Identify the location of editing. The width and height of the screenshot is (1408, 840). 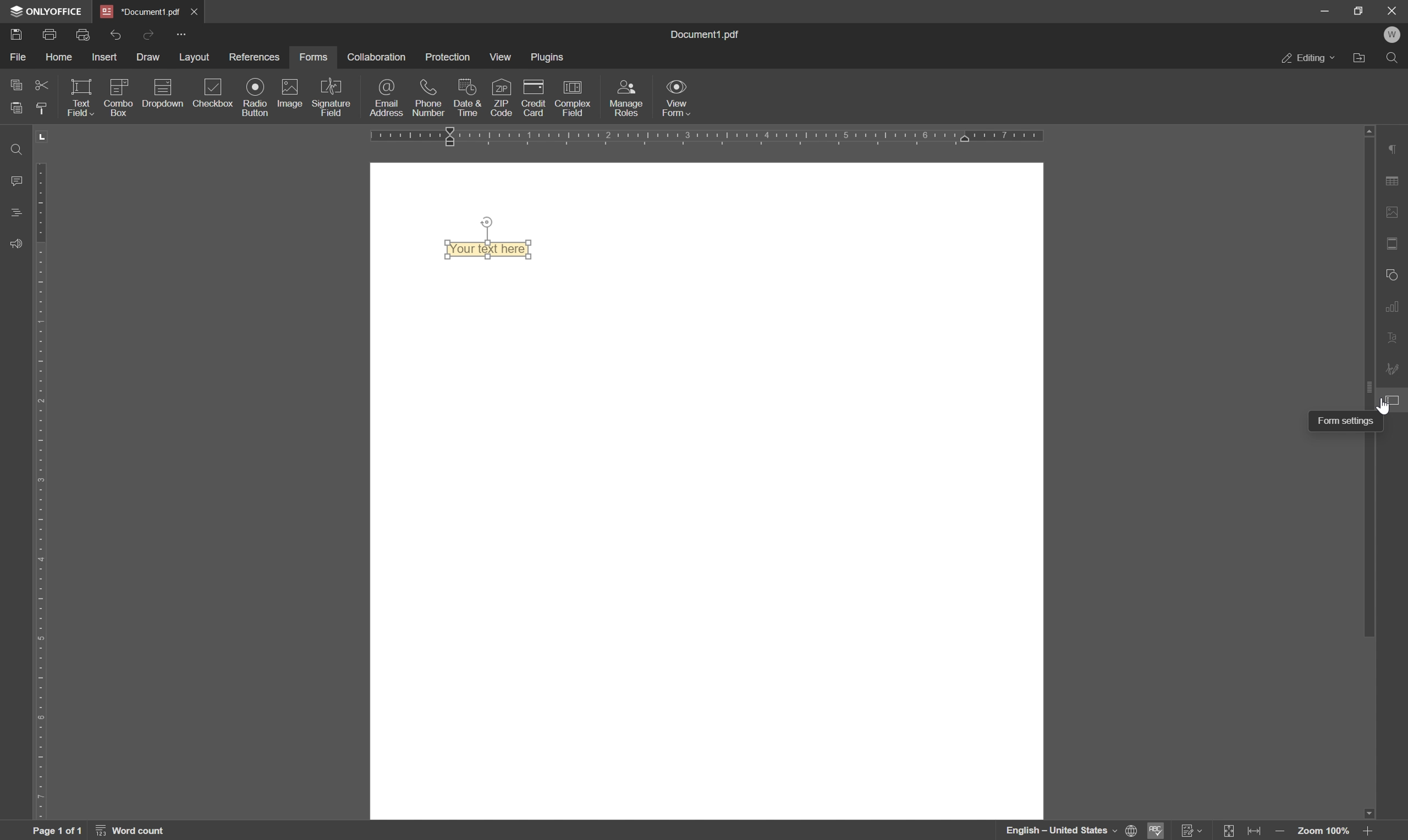
(1308, 59).